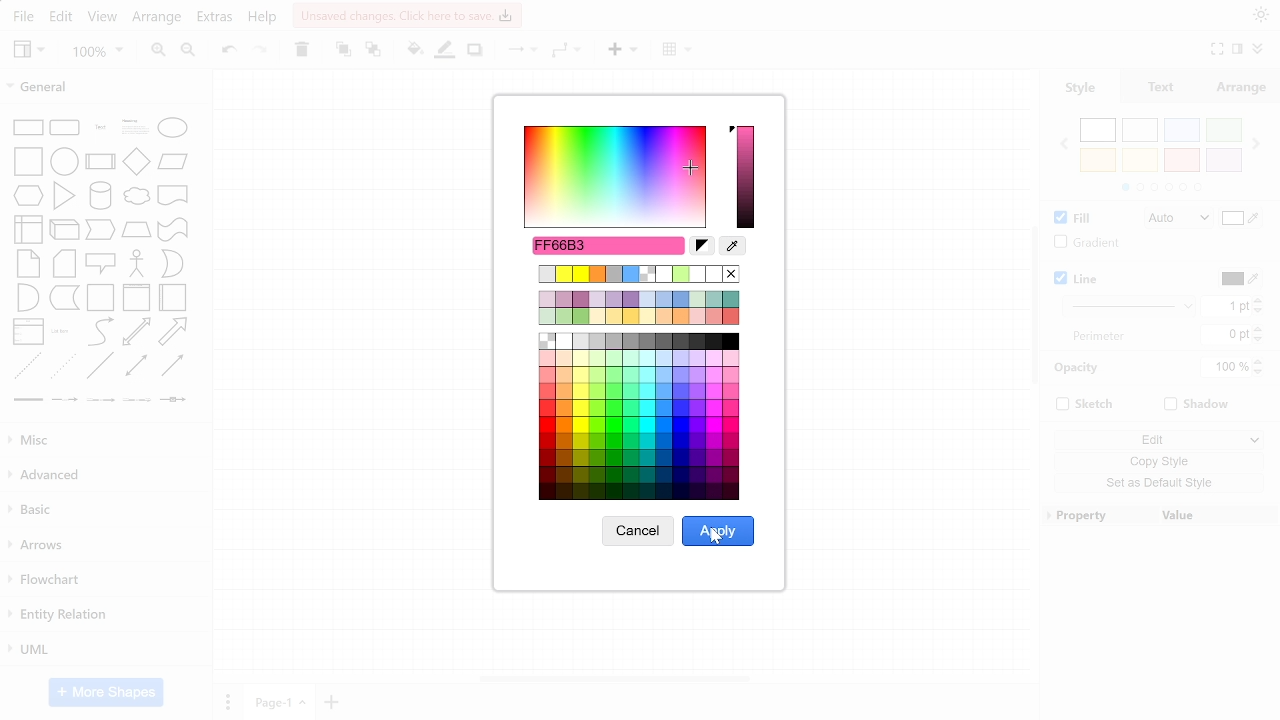 The height and width of the screenshot is (720, 1280). What do you see at coordinates (746, 177) in the screenshot?
I see `Current color spectrum` at bounding box center [746, 177].